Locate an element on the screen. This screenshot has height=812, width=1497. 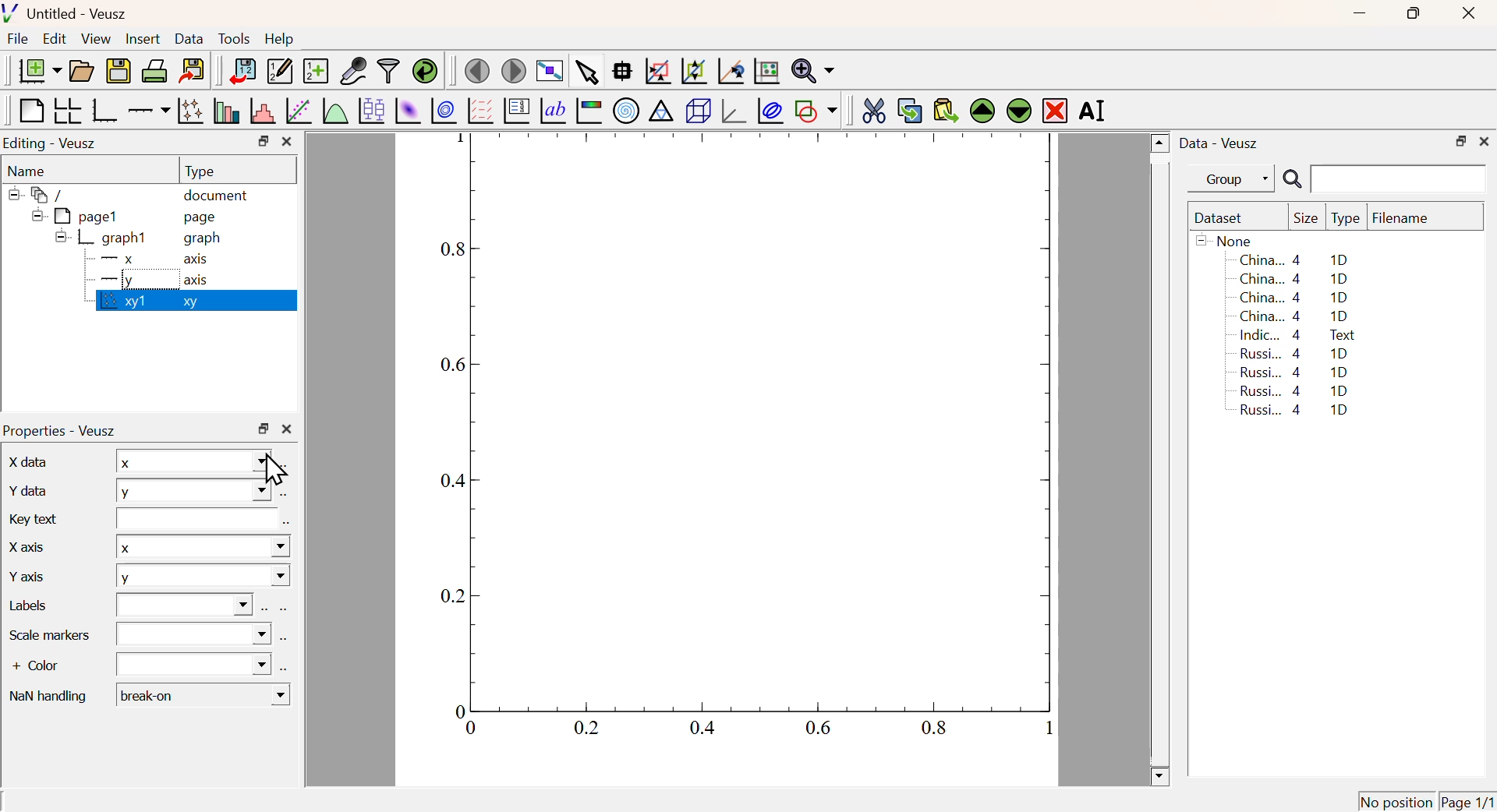
Key text is located at coordinates (35, 517).